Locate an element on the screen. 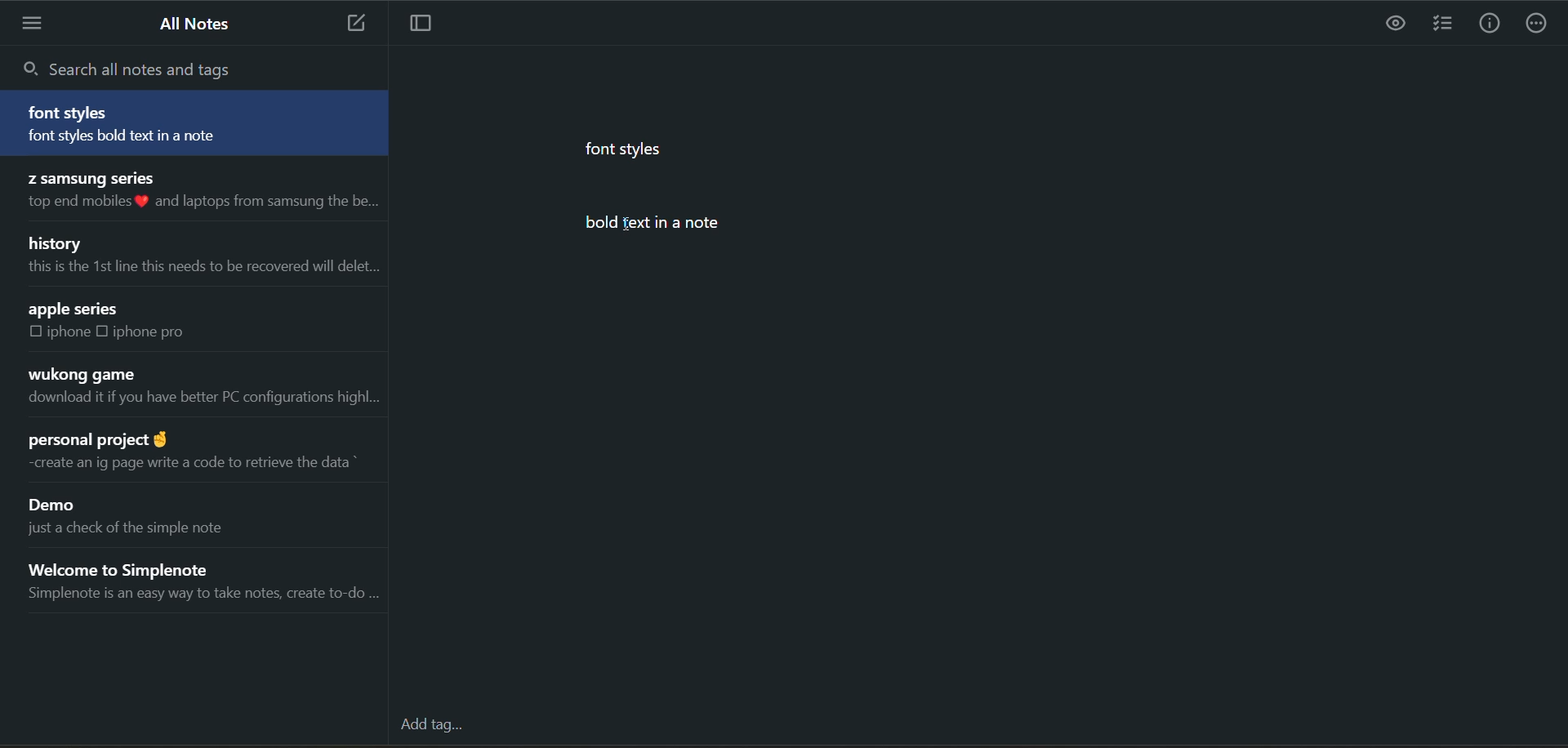  iphone is located at coordinates (70, 332).